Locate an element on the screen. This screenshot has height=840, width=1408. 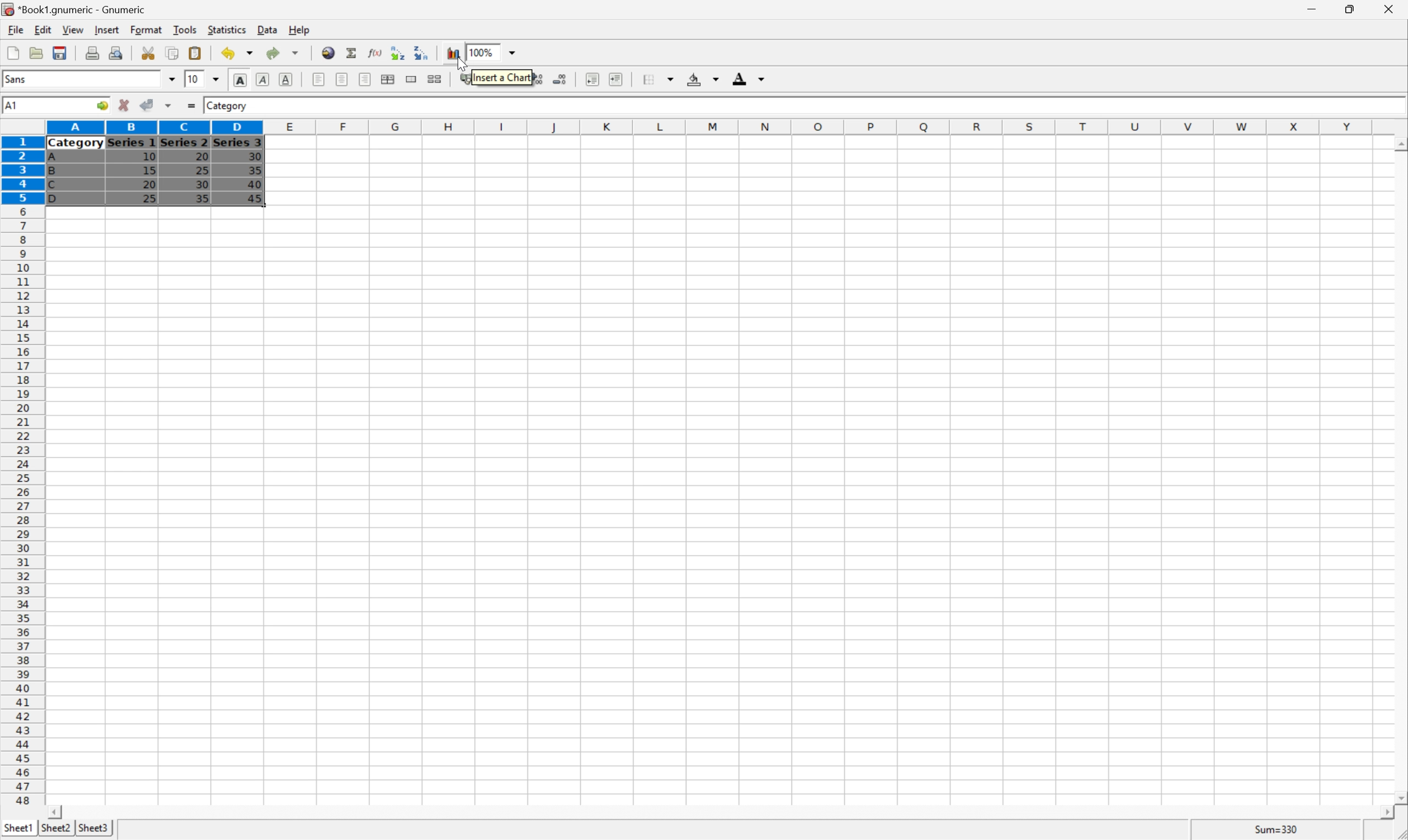
Print current file is located at coordinates (92, 54).